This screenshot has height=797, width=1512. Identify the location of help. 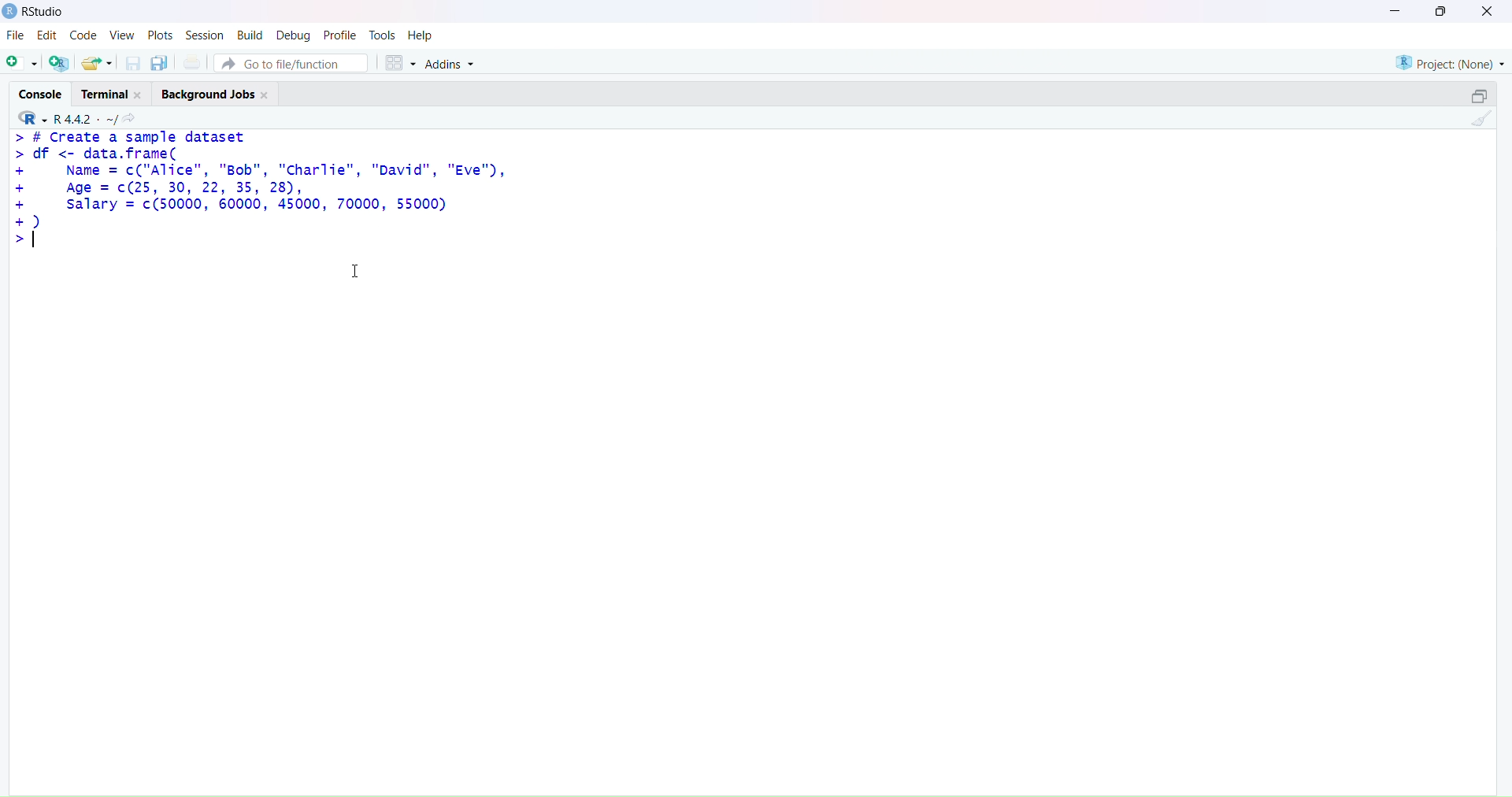
(423, 35).